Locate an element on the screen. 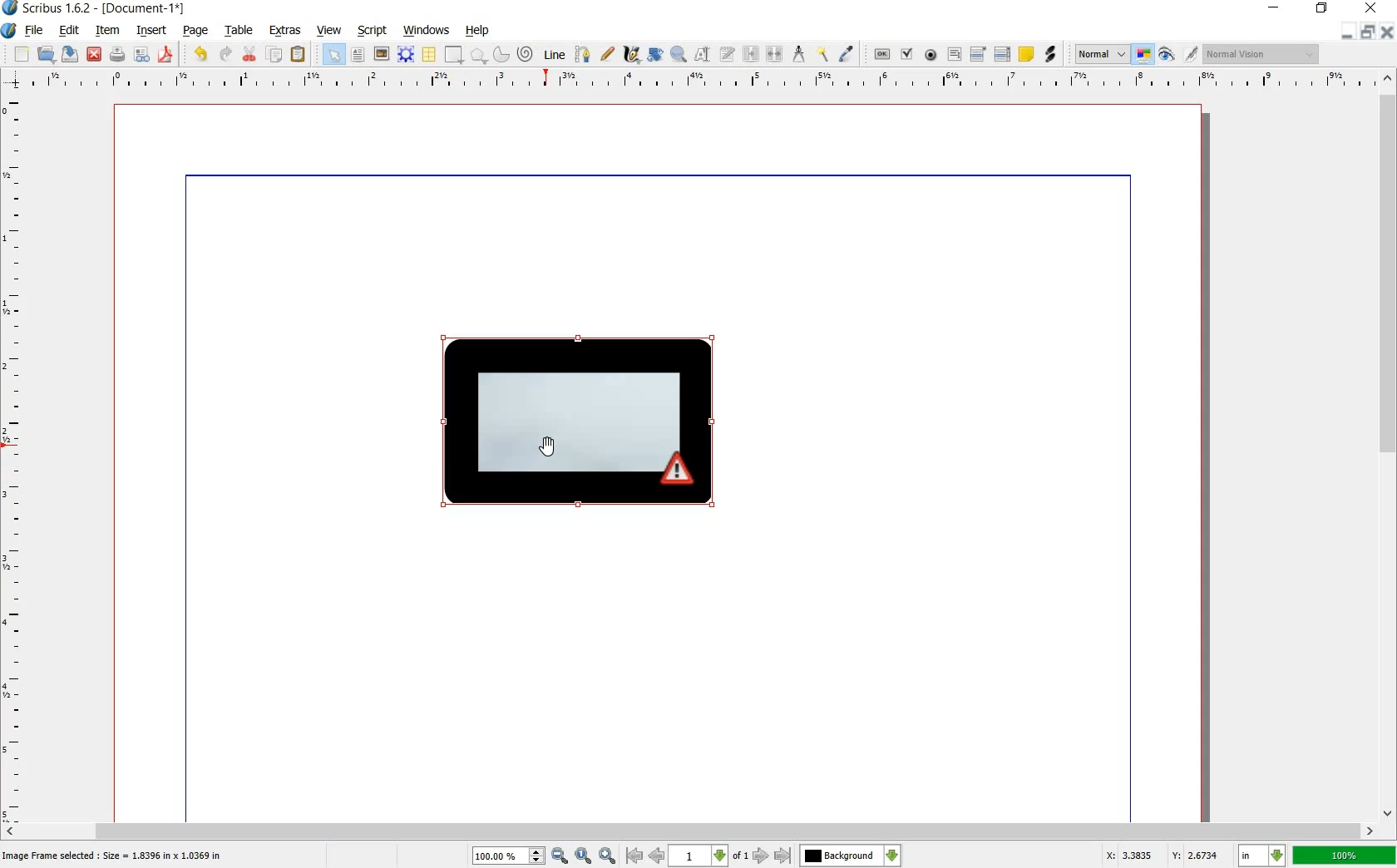 This screenshot has height=868, width=1397. pdf check box is located at coordinates (907, 55).